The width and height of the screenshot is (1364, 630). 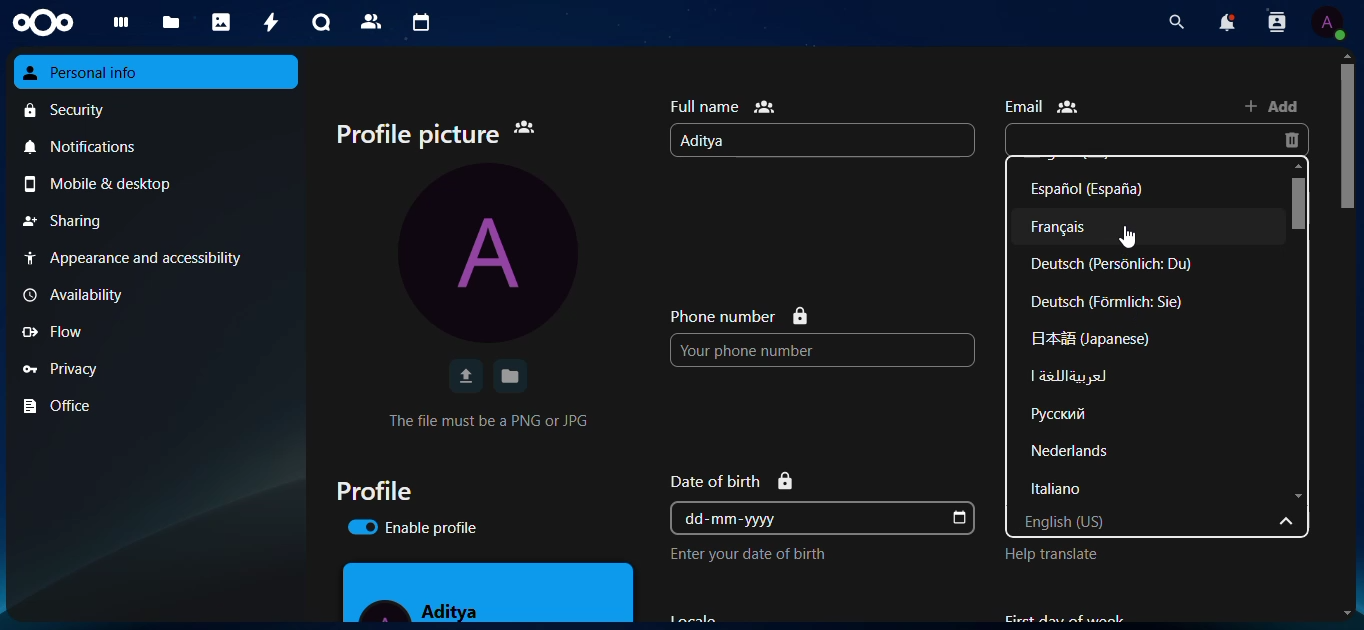 What do you see at coordinates (1074, 227) in the screenshot?
I see `francais` at bounding box center [1074, 227].